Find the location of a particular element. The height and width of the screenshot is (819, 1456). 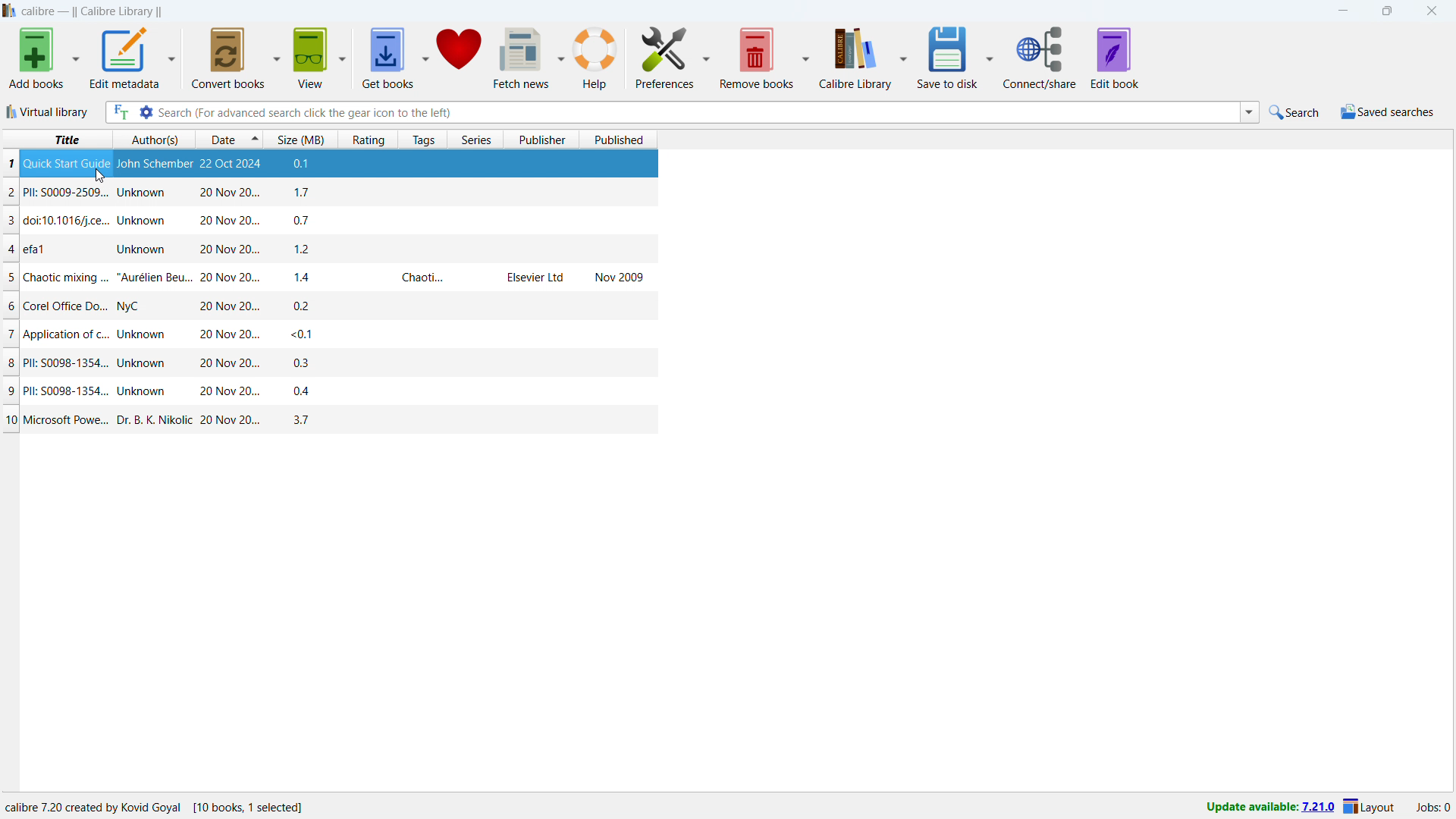

save to disk is located at coordinates (947, 58).